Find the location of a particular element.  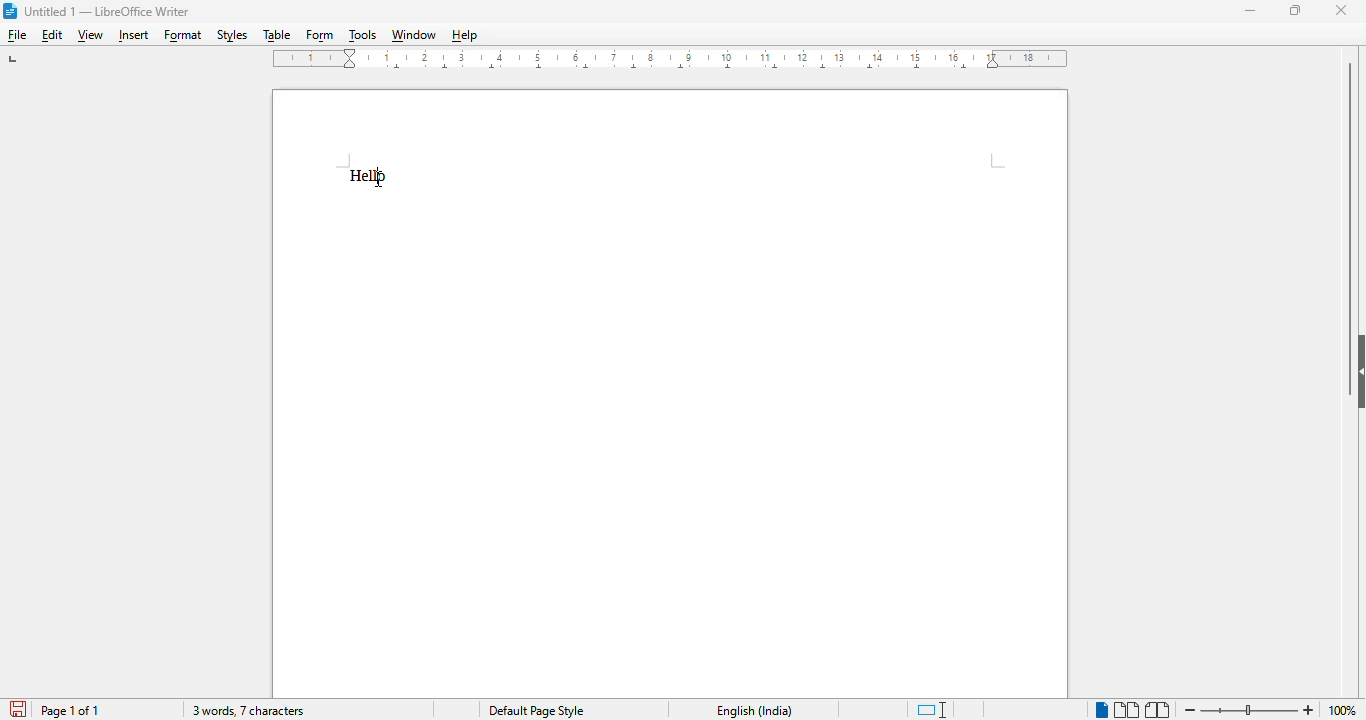

format is located at coordinates (184, 37).